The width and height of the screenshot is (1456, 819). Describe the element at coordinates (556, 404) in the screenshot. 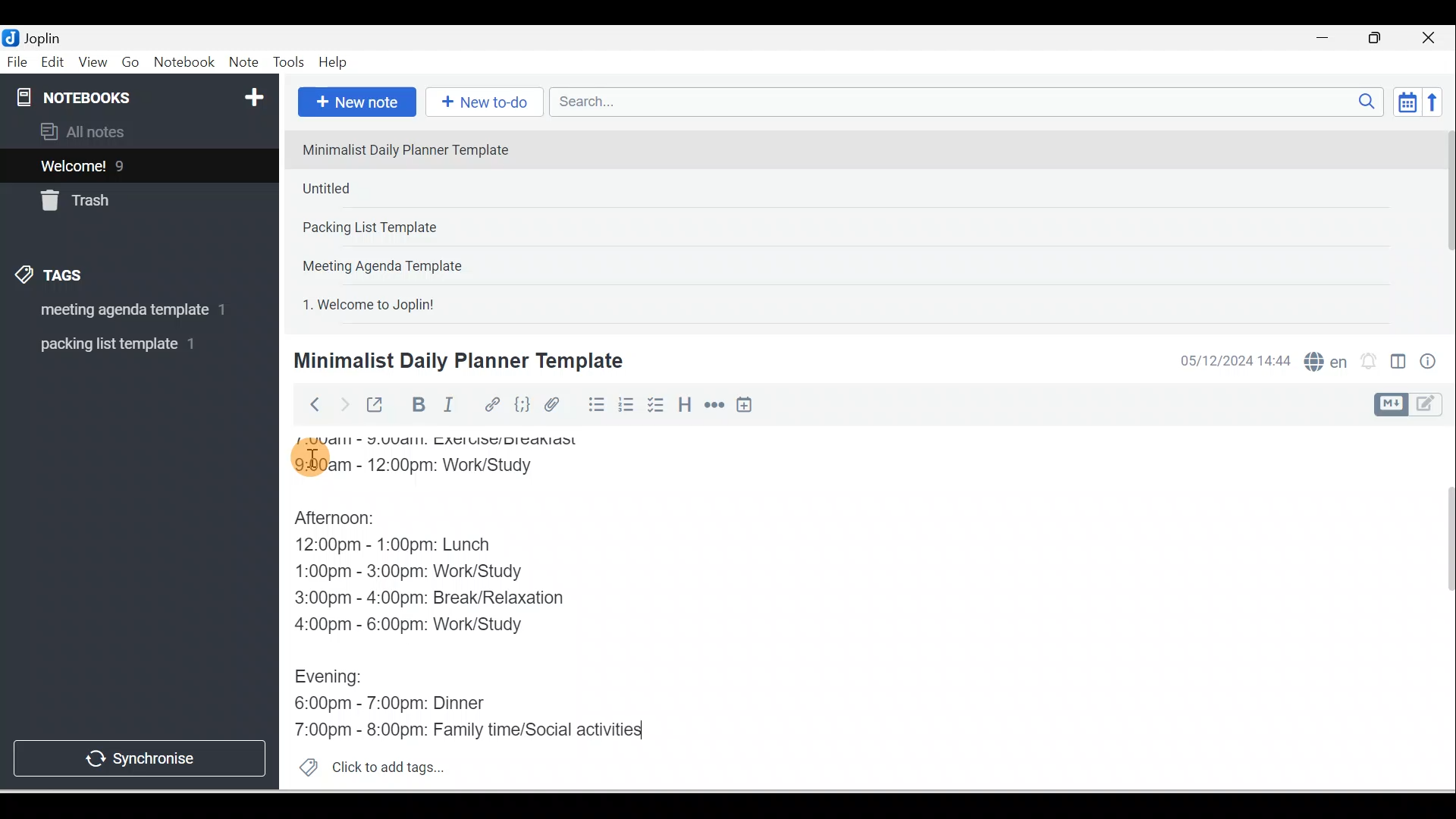

I see `Attach file` at that location.